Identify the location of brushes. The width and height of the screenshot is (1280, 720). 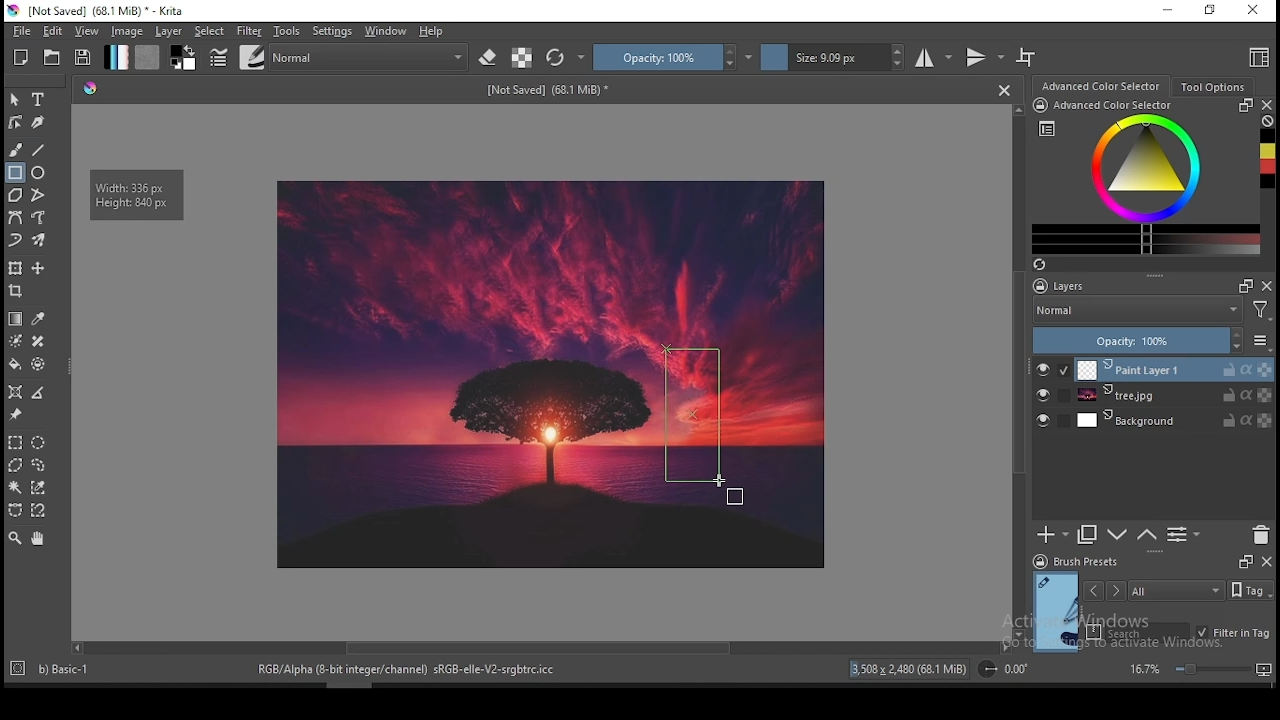
(251, 57).